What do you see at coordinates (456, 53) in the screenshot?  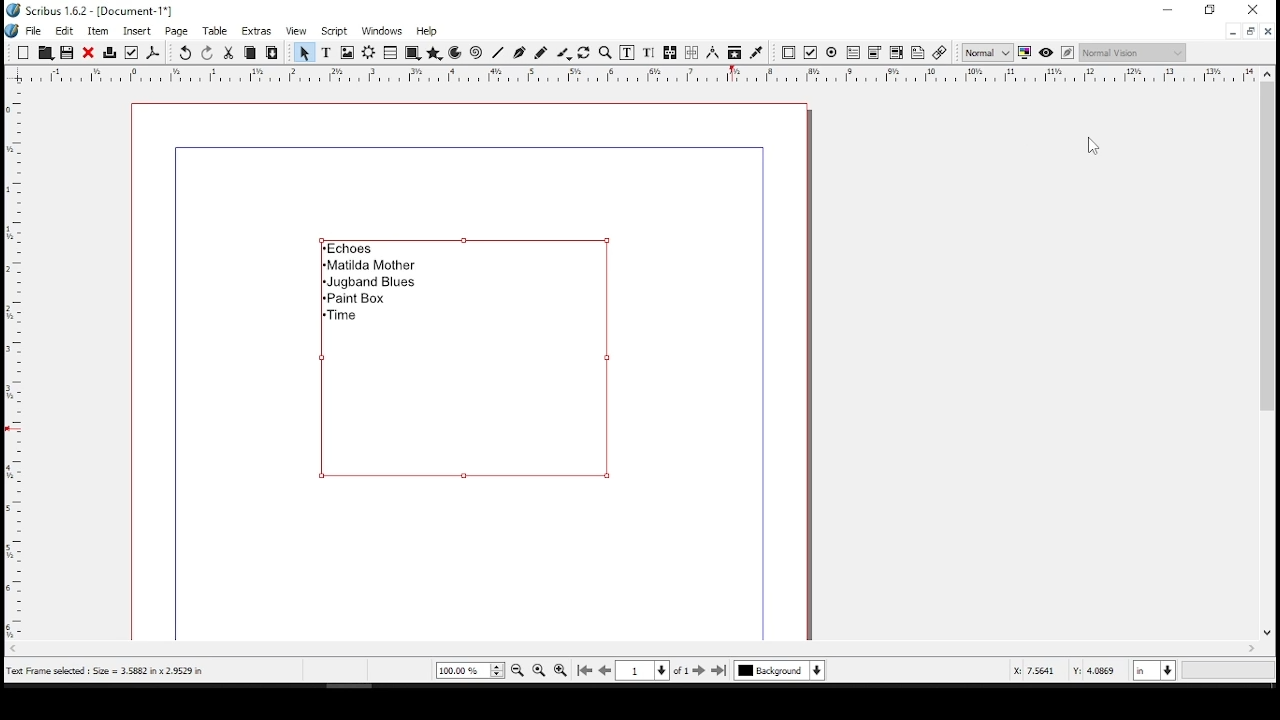 I see `arc` at bounding box center [456, 53].